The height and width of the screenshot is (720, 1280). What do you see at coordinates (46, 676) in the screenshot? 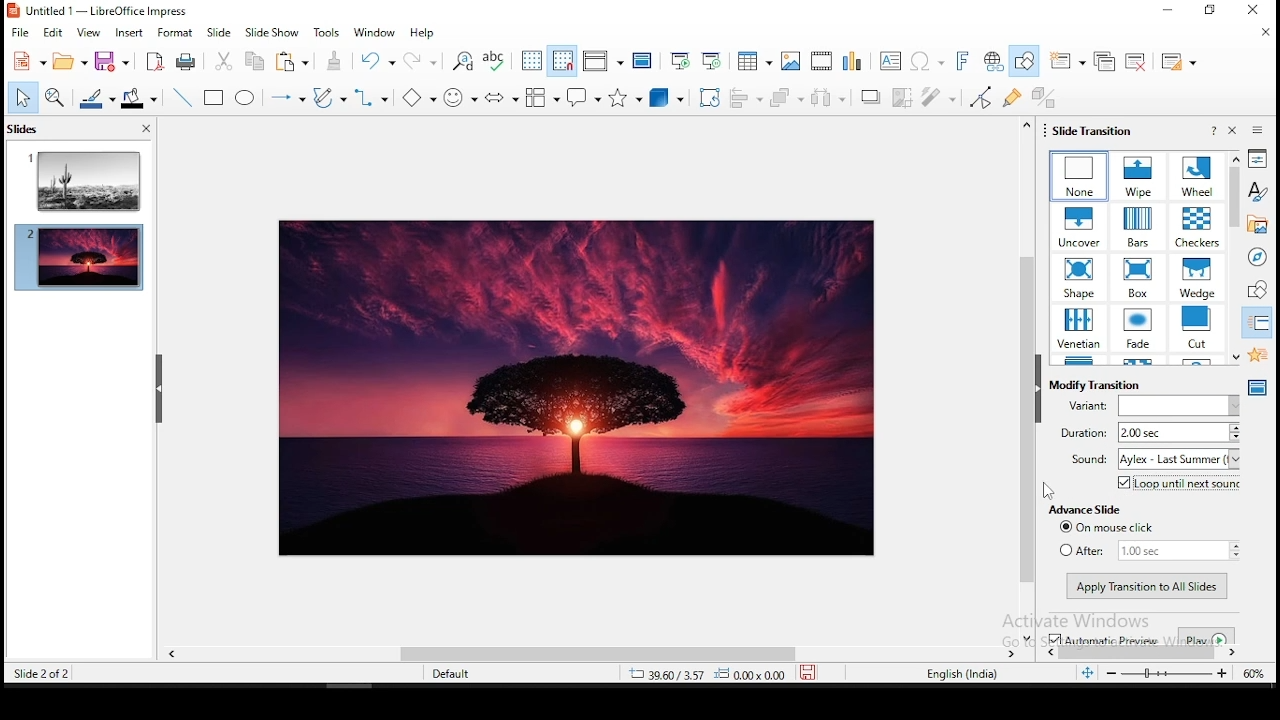
I see `slide 2 of 2` at bounding box center [46, 676].